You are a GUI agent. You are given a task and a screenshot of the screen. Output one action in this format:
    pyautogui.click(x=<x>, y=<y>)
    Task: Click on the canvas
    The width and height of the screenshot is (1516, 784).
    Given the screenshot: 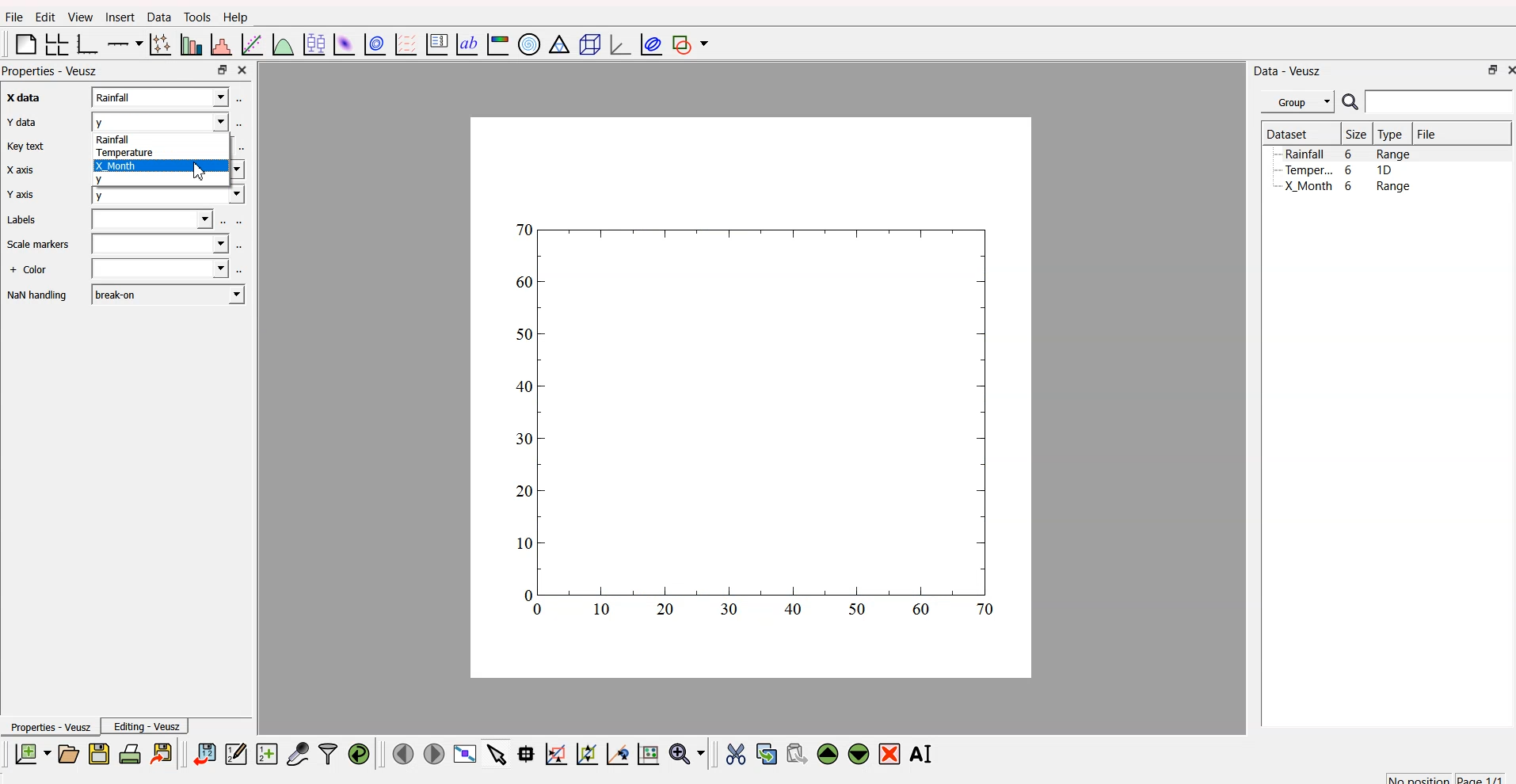 What is the action you would take?
    pyautogui.click(x=752, y=400)
    